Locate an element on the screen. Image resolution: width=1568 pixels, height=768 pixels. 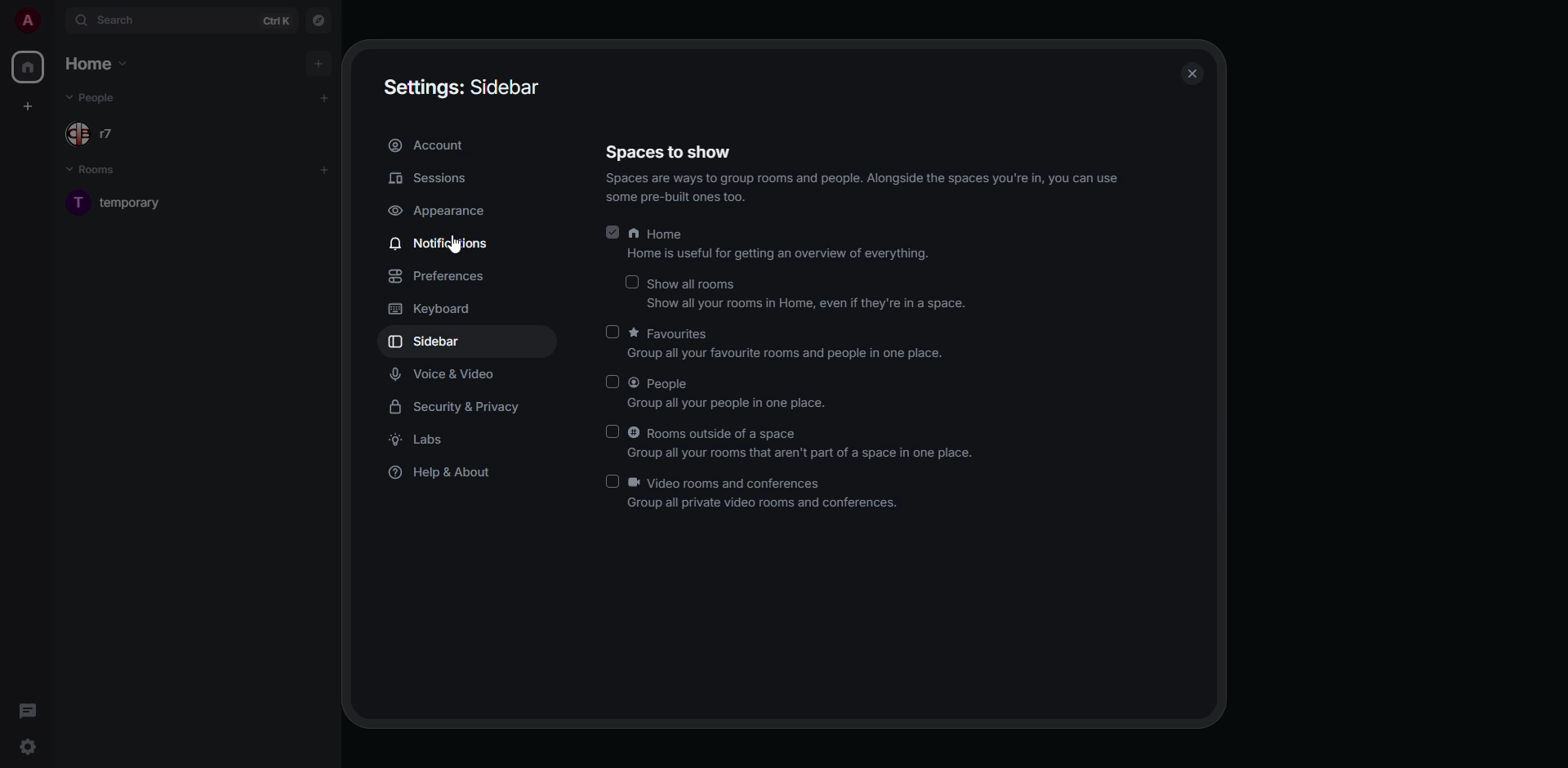
home is located at coordinates (96, 61).